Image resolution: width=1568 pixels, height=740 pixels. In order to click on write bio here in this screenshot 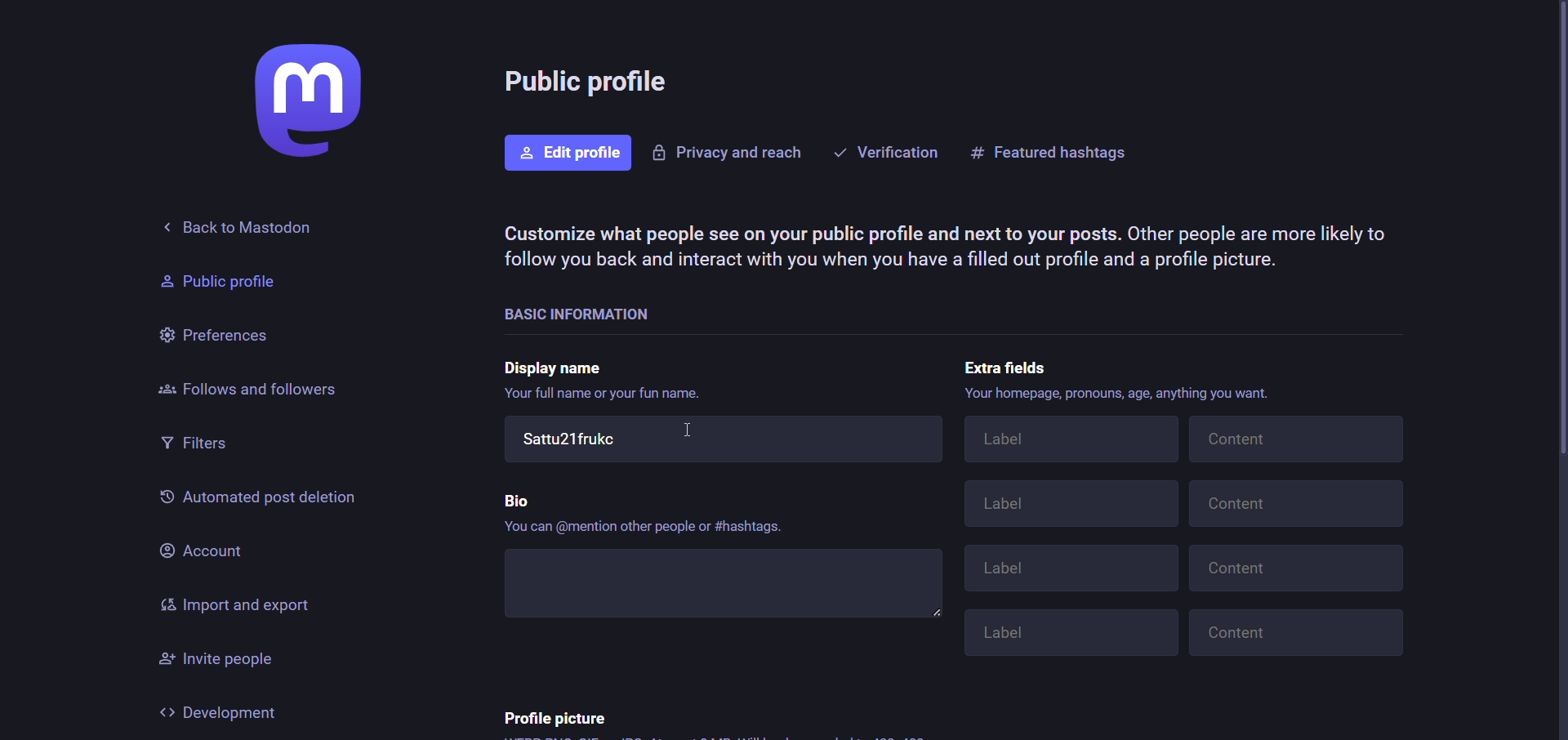, I will do `click(725, 586)`.